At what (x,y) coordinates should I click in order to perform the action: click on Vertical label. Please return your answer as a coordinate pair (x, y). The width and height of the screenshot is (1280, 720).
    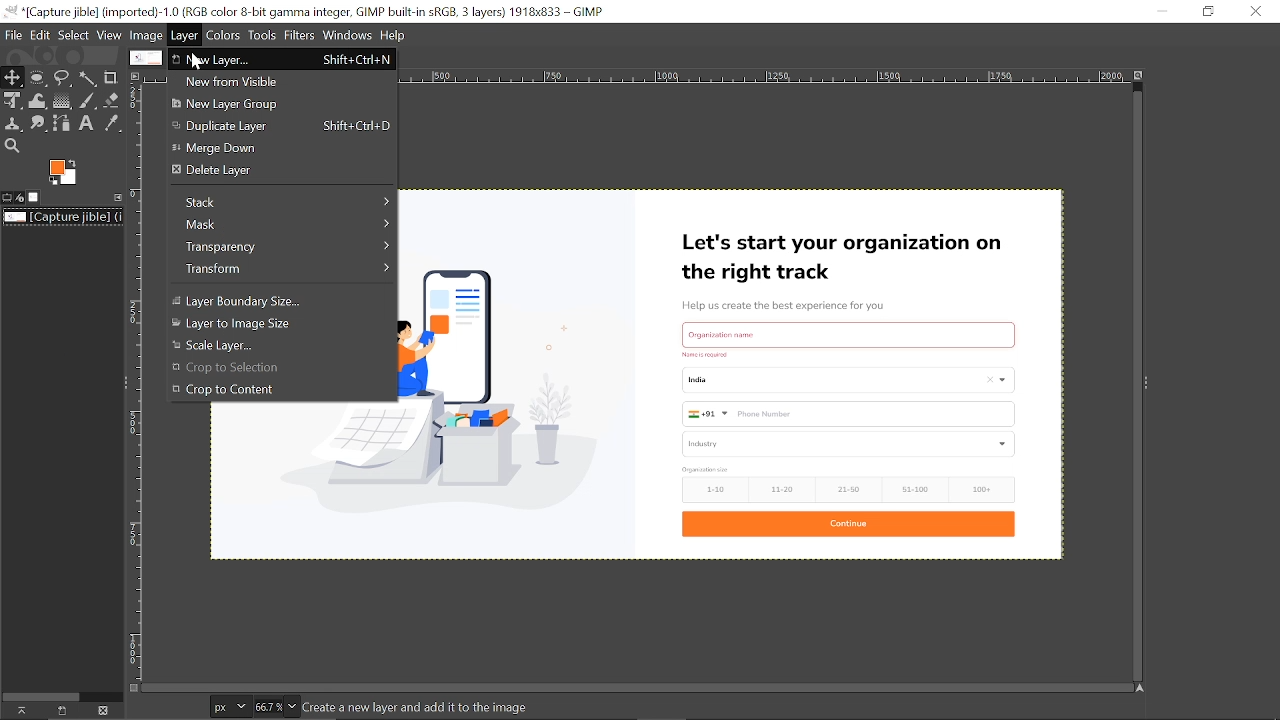
    Looking at the image, I should click on (136, 384).